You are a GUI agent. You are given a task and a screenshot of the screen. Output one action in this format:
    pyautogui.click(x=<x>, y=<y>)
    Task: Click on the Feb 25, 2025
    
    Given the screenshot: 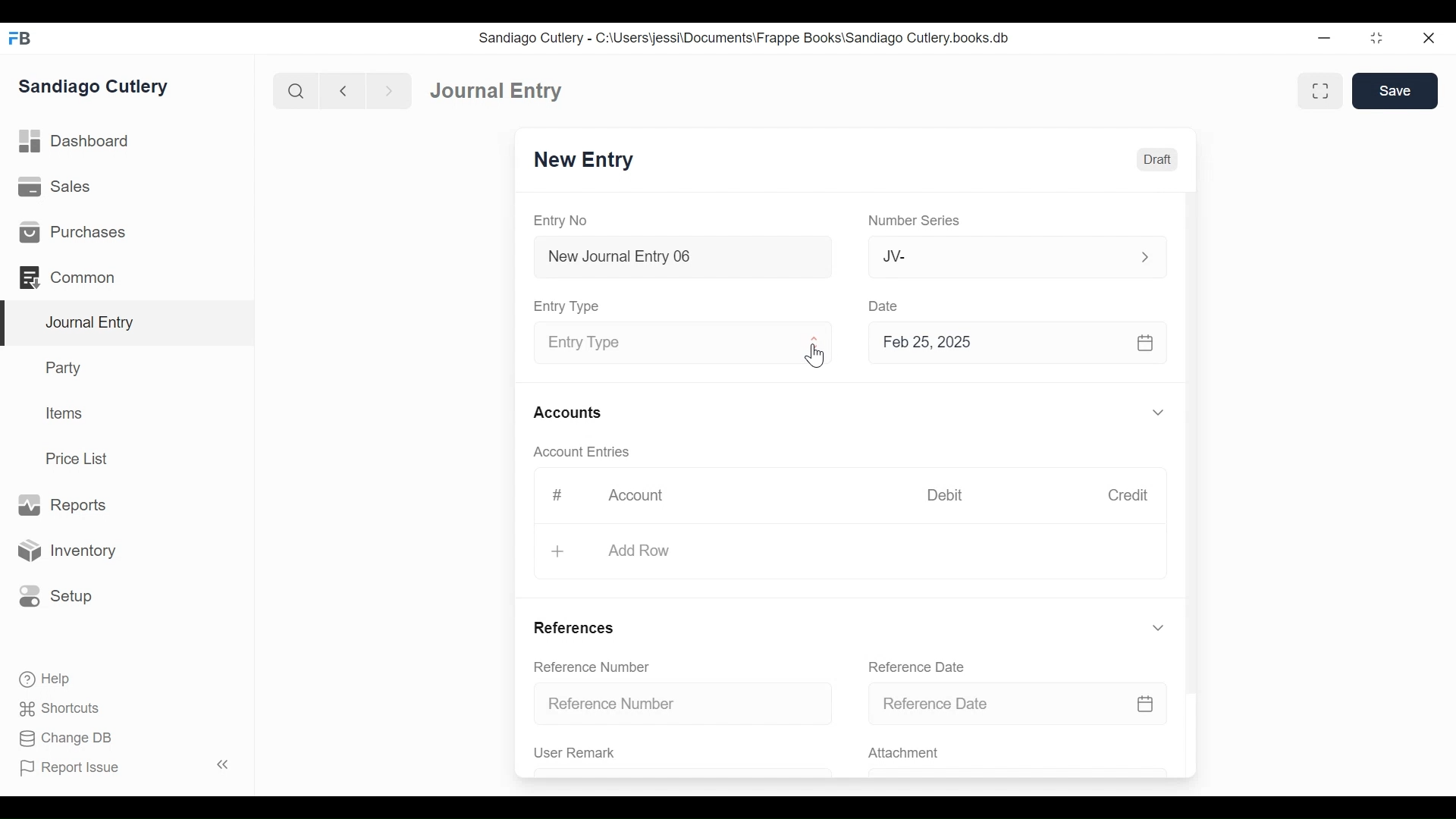 What is the action you would take?
    pyautogui.click(x=1011, y=342)
    